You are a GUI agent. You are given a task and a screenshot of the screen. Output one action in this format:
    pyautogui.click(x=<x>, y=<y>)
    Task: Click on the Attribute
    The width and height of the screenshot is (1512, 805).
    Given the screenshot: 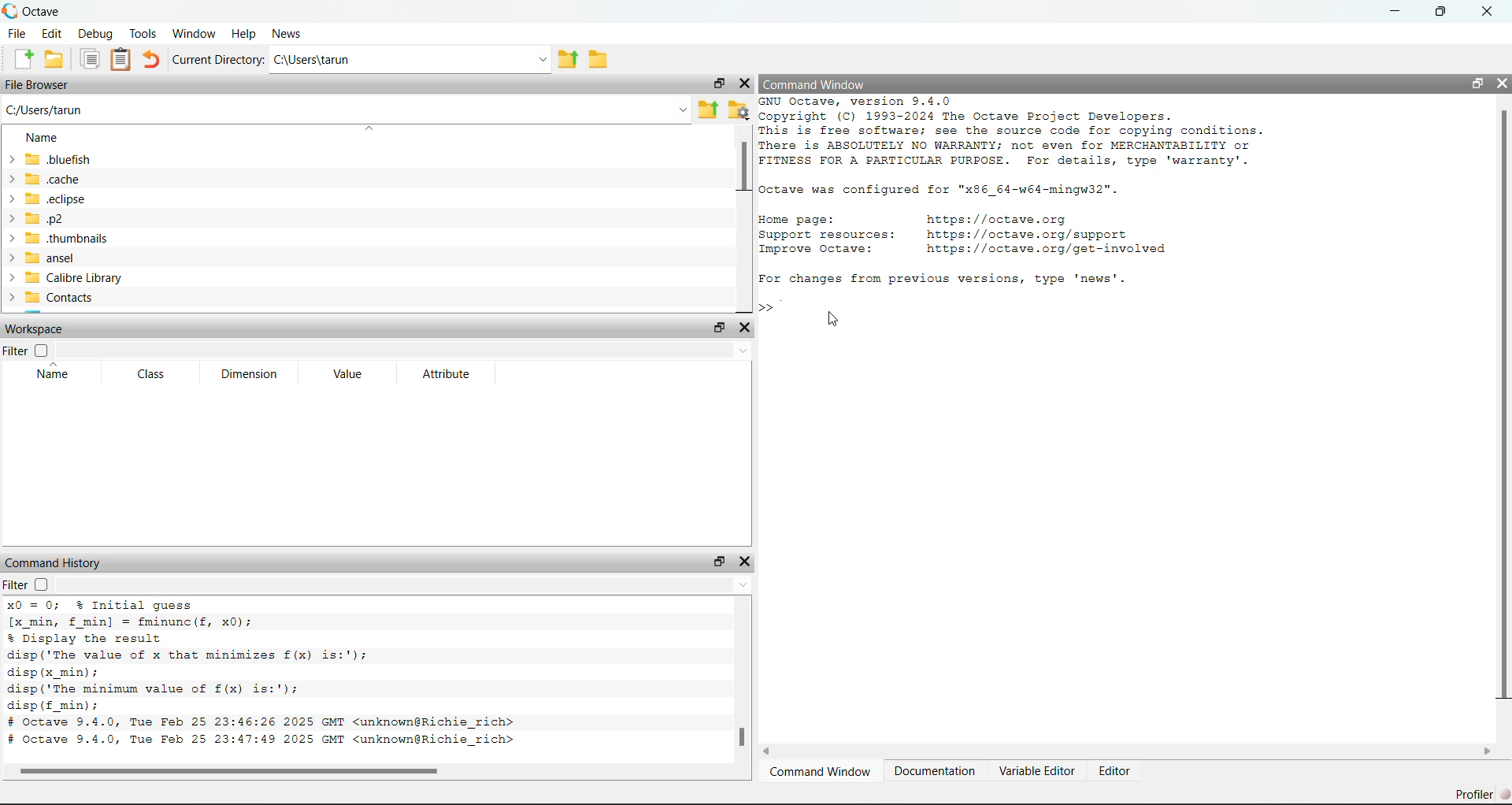 What is the action you would take?
    pyautogui.click(x=446, y=373)
    